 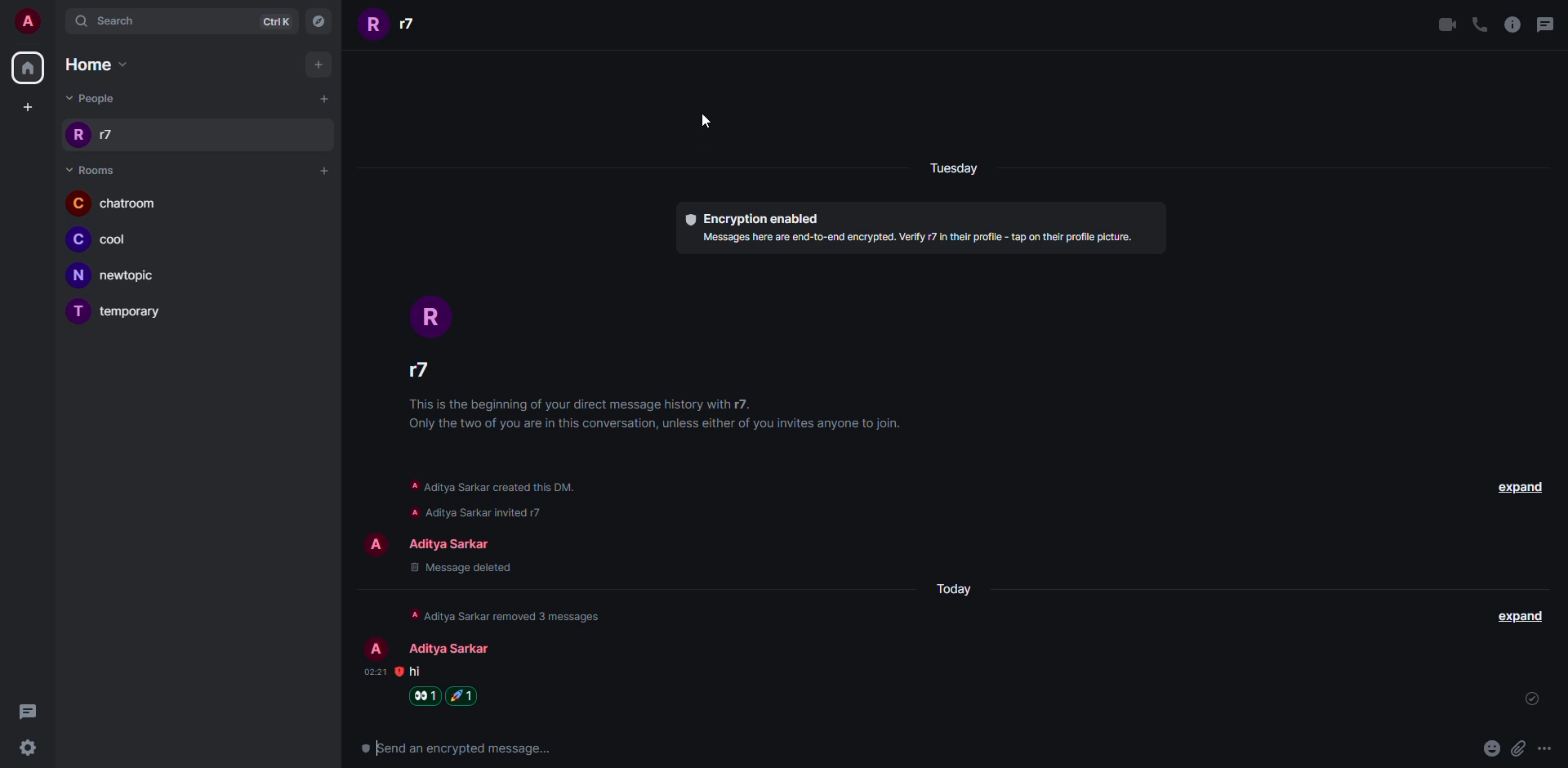 I want to click on people, so click(x=421, y=368).